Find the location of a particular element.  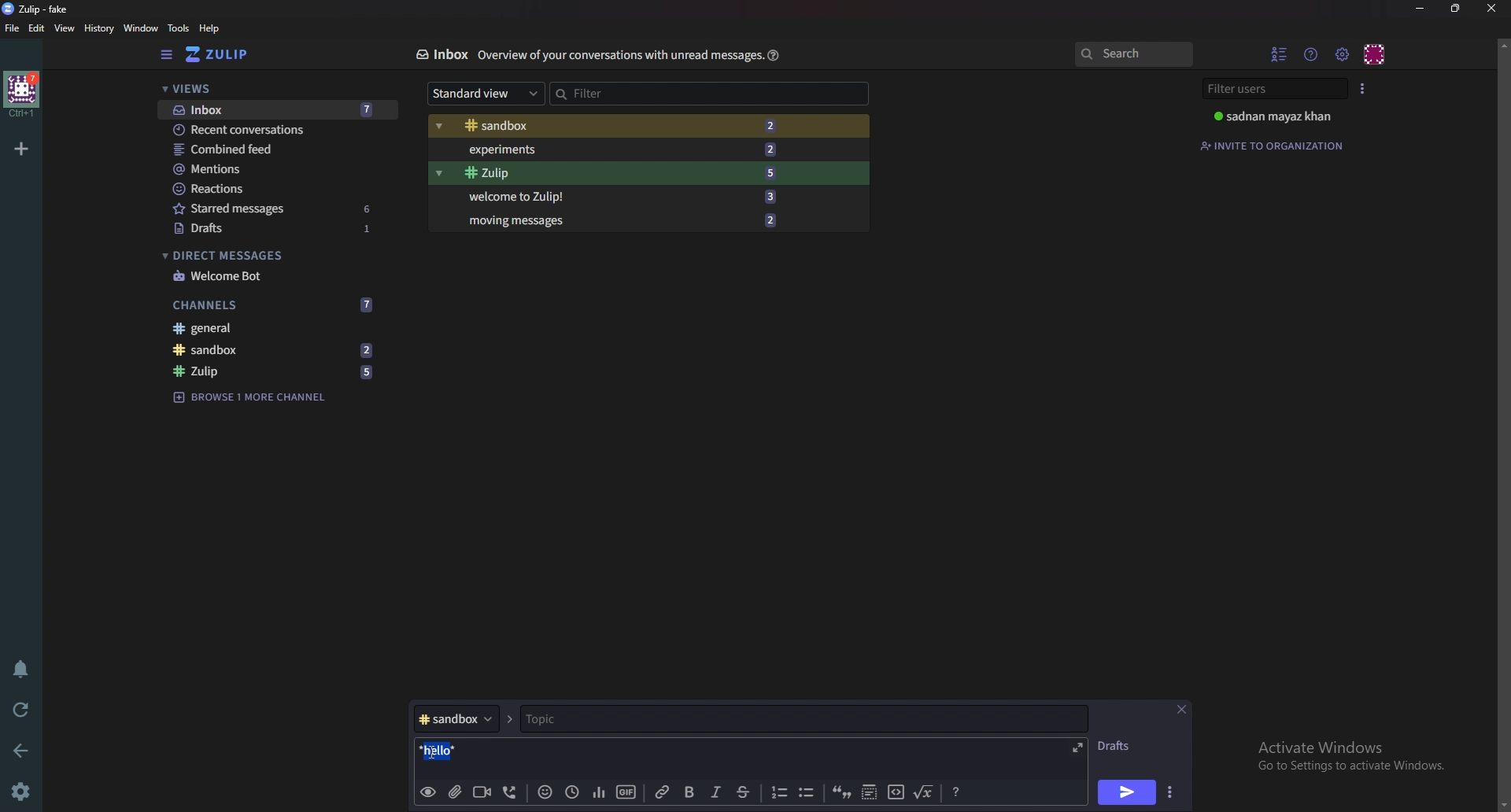

Spoiler is located at coordinates (870, 793).